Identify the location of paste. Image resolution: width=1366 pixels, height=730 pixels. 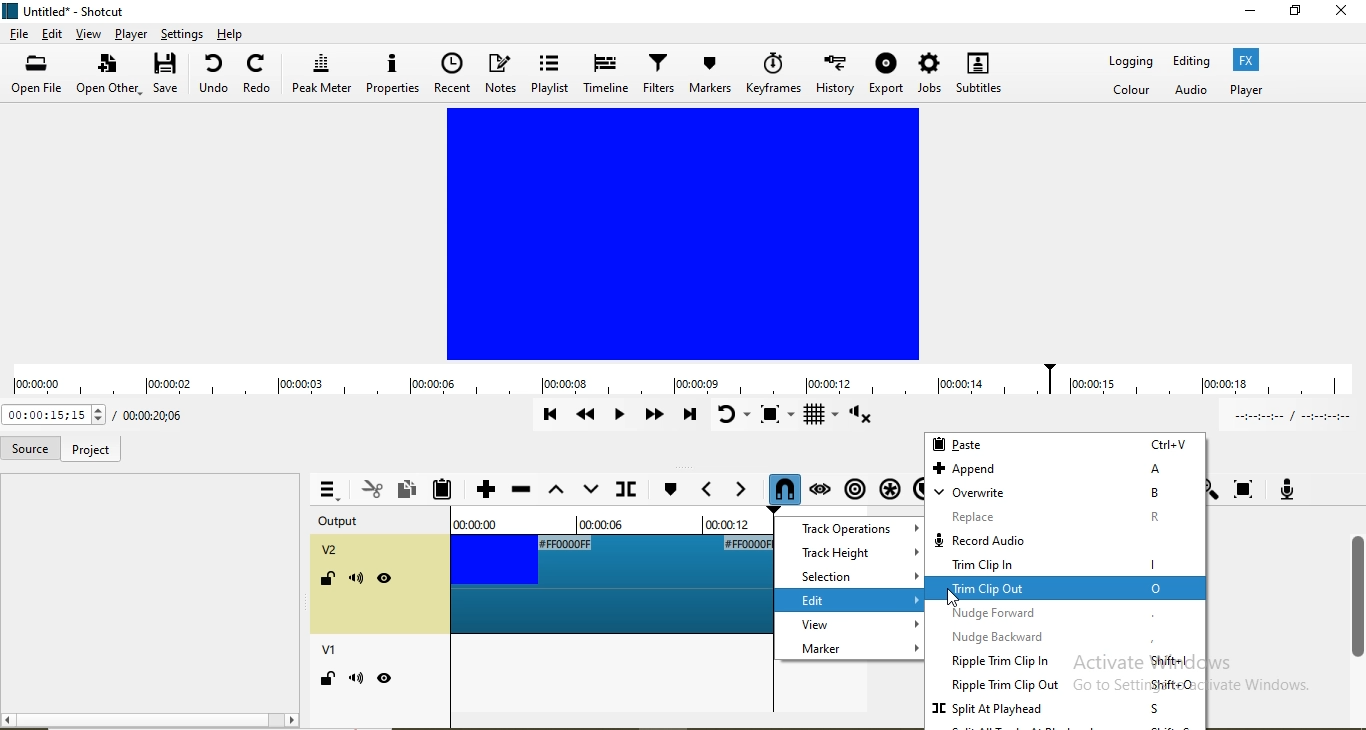
(1061, 445).